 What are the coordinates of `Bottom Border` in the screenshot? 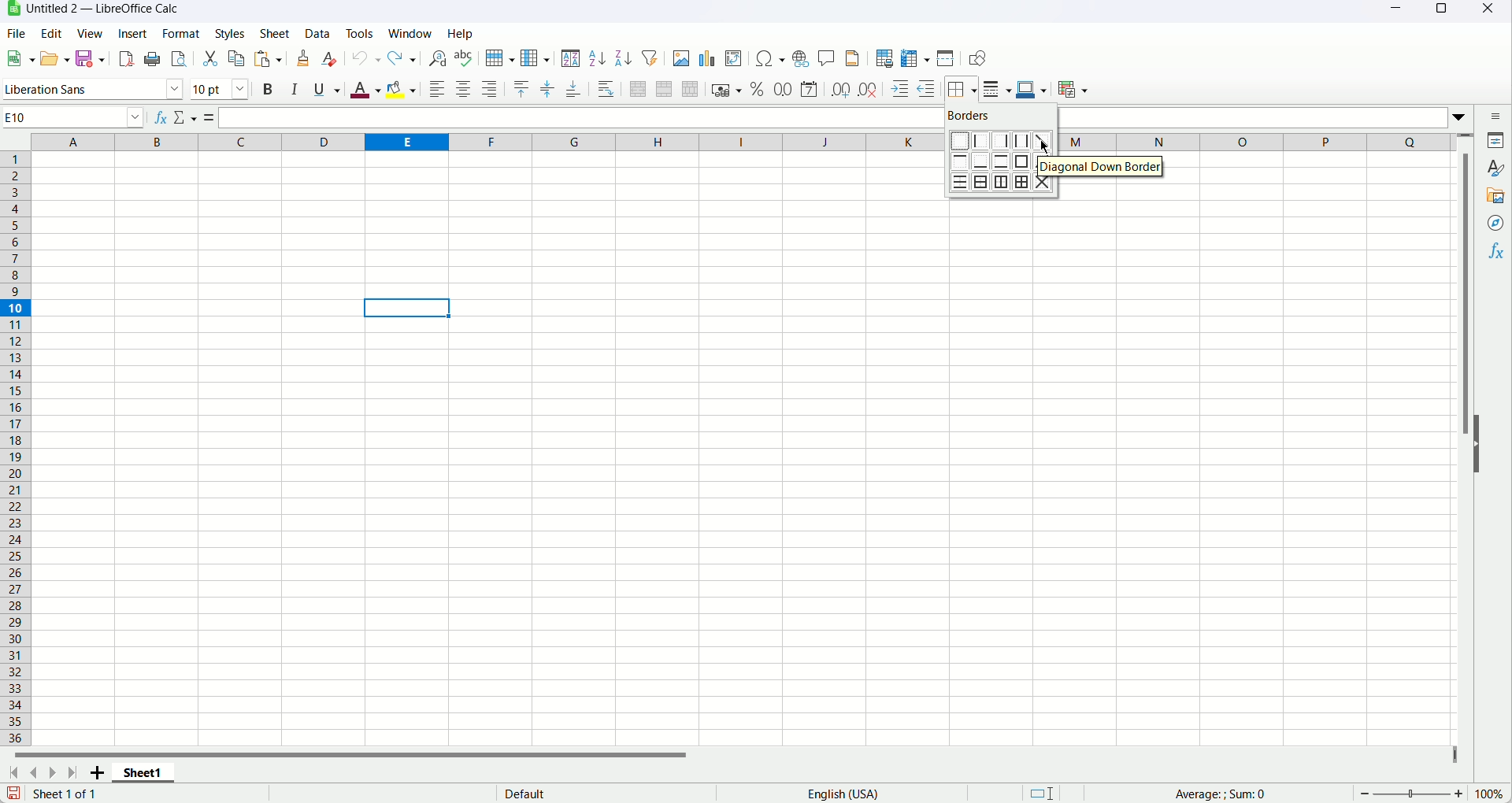 It's located at (981, 161).